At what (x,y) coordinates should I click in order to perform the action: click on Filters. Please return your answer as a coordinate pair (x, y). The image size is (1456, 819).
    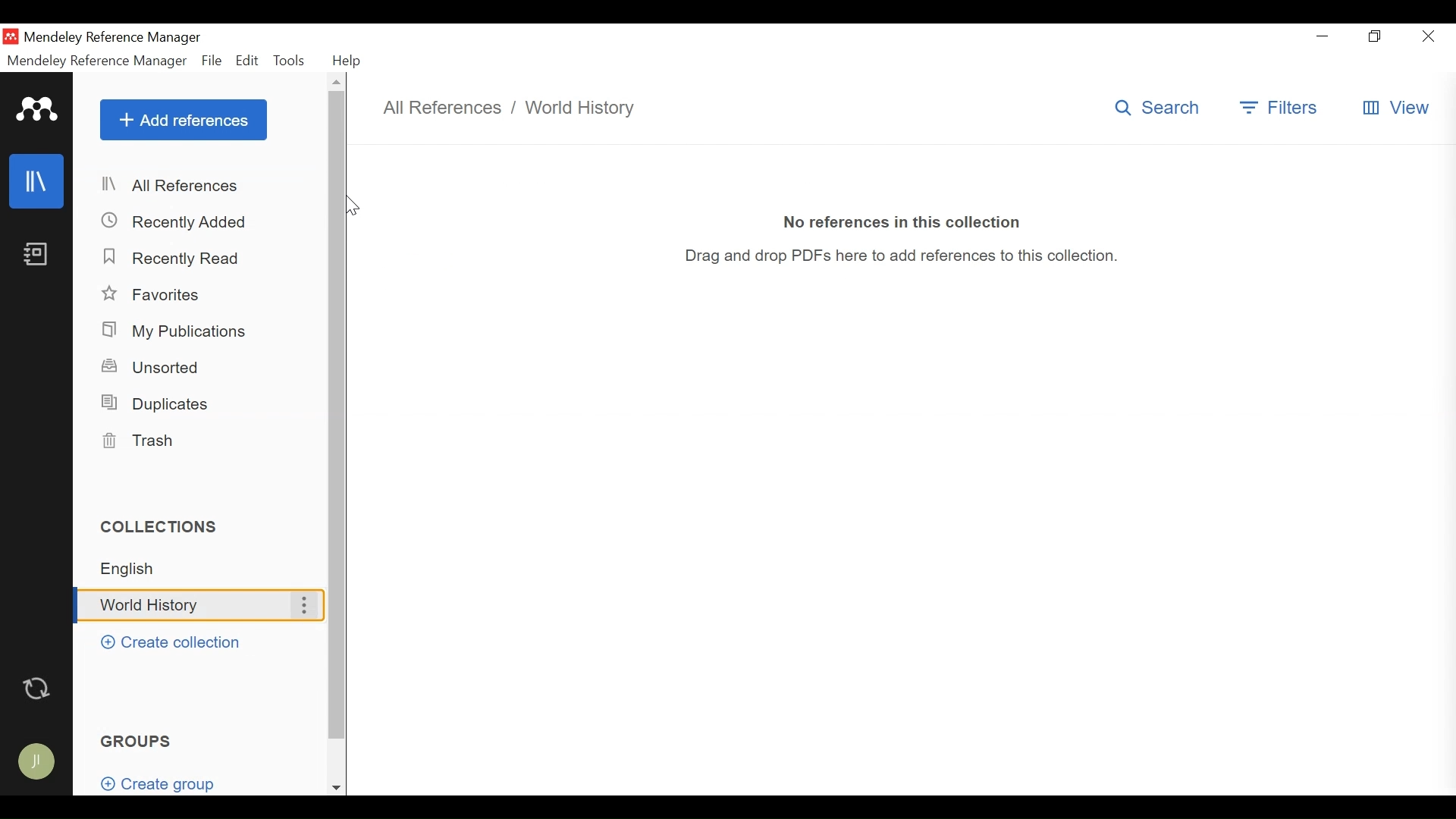
    Looking at the image, I should click on (1281, 108).